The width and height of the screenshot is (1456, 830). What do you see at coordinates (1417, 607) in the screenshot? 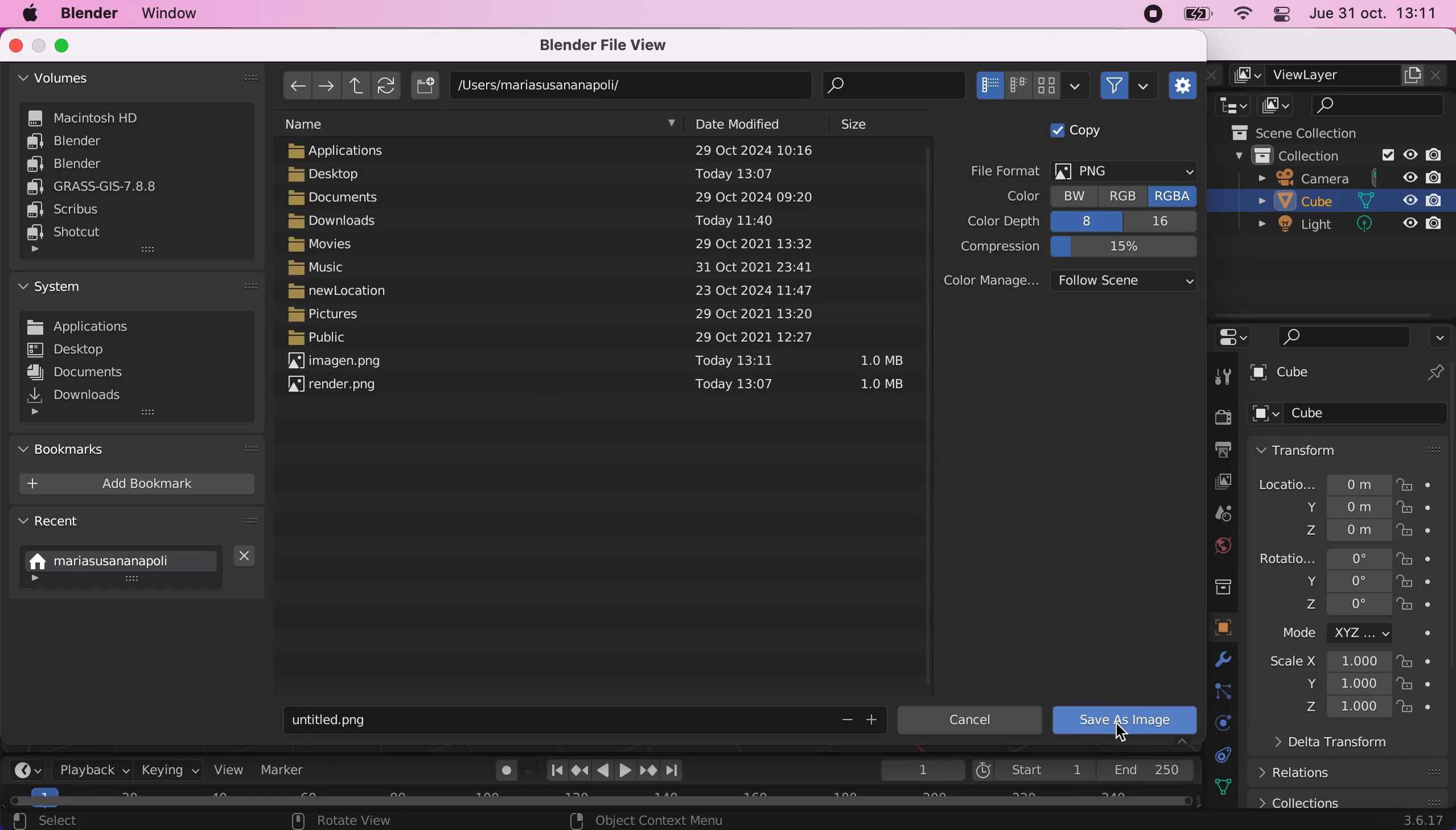
I see `lock` at bounding box center [1417, 607].